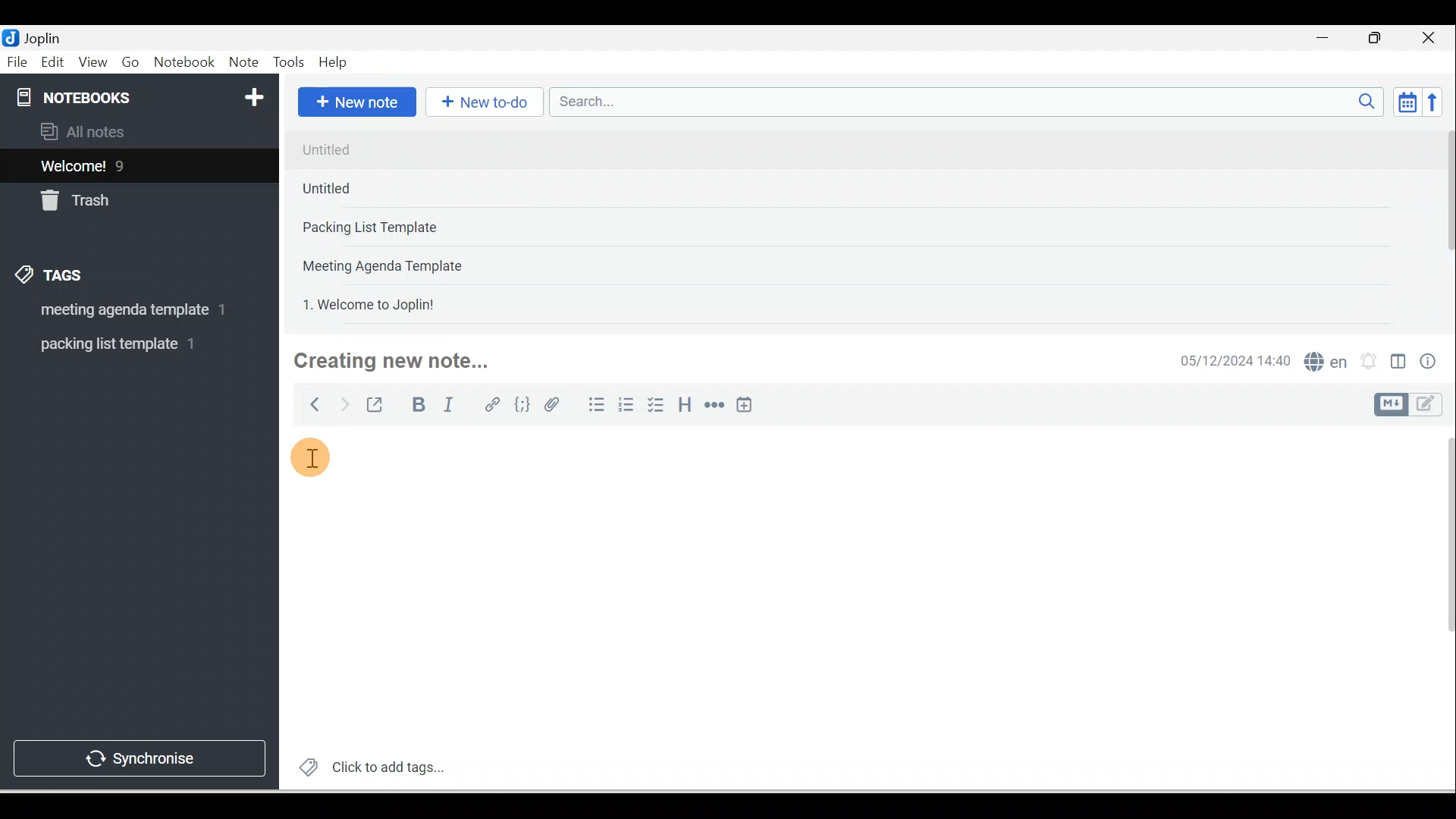 The width and height of the screenshot is (1456, 819). Describe the element at coordinates (1437, 102) in the screenshot. I see `Reverse sort` at that location.